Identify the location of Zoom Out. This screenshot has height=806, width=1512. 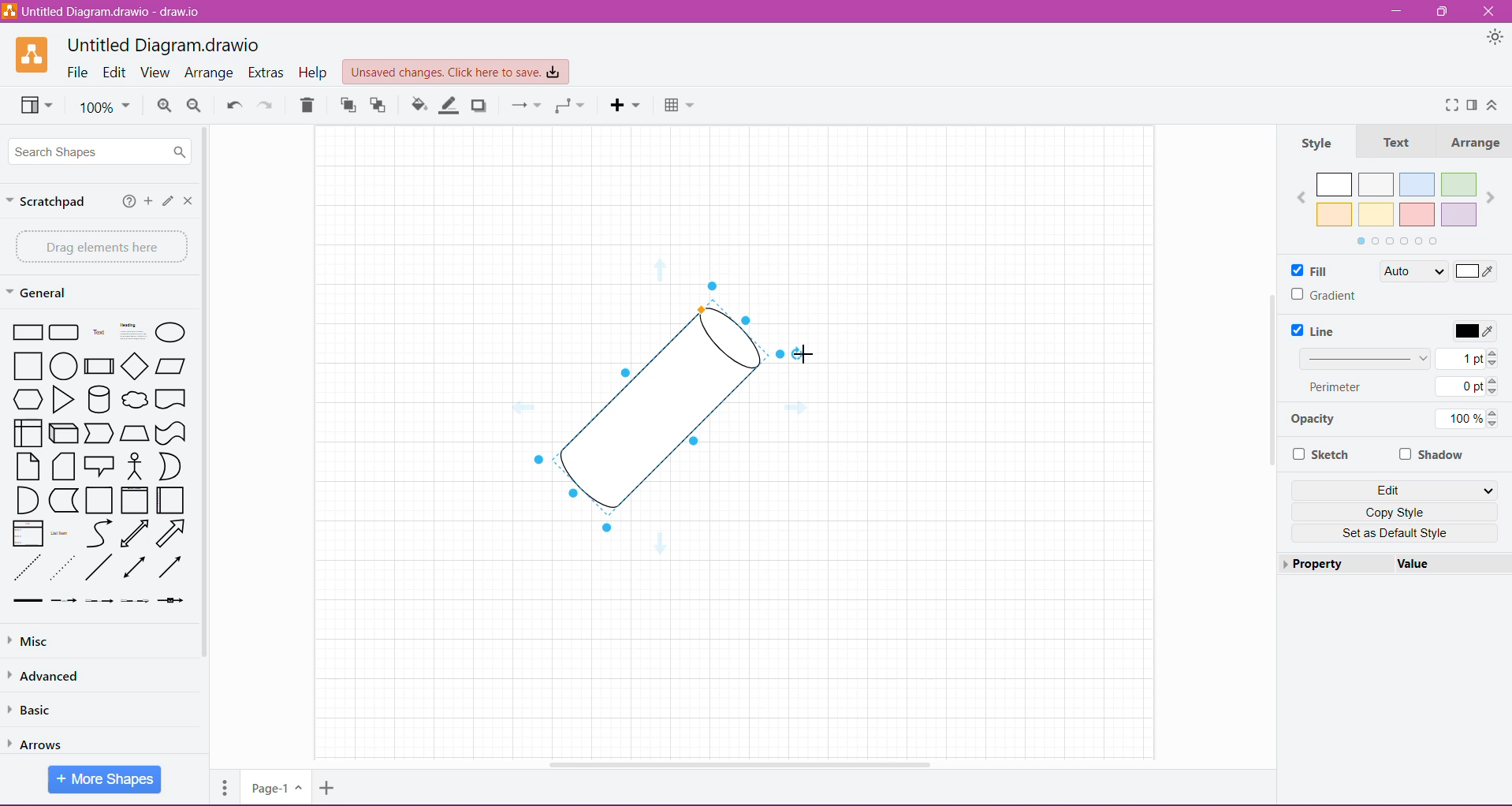
(195, 106).